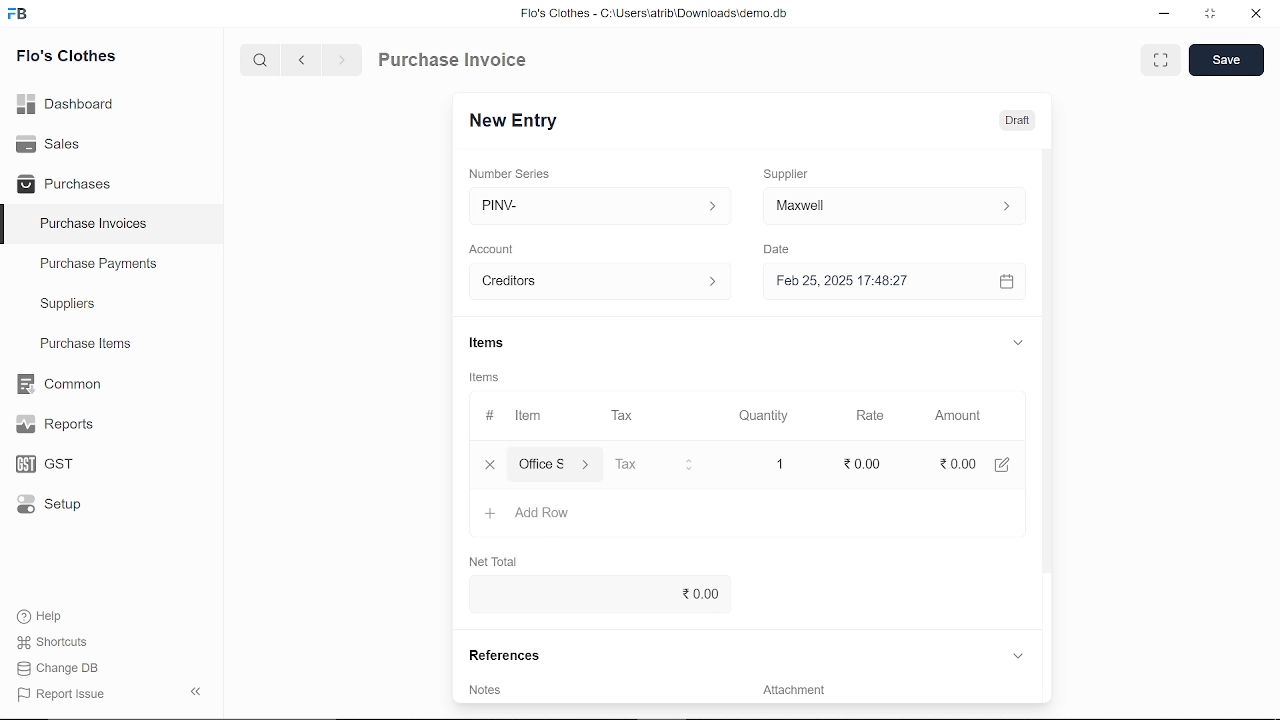 This screenshot has width=1280, height=720. Describe the element at coordinates (954, 465) in the screenshot. I see `0.00` at that location.